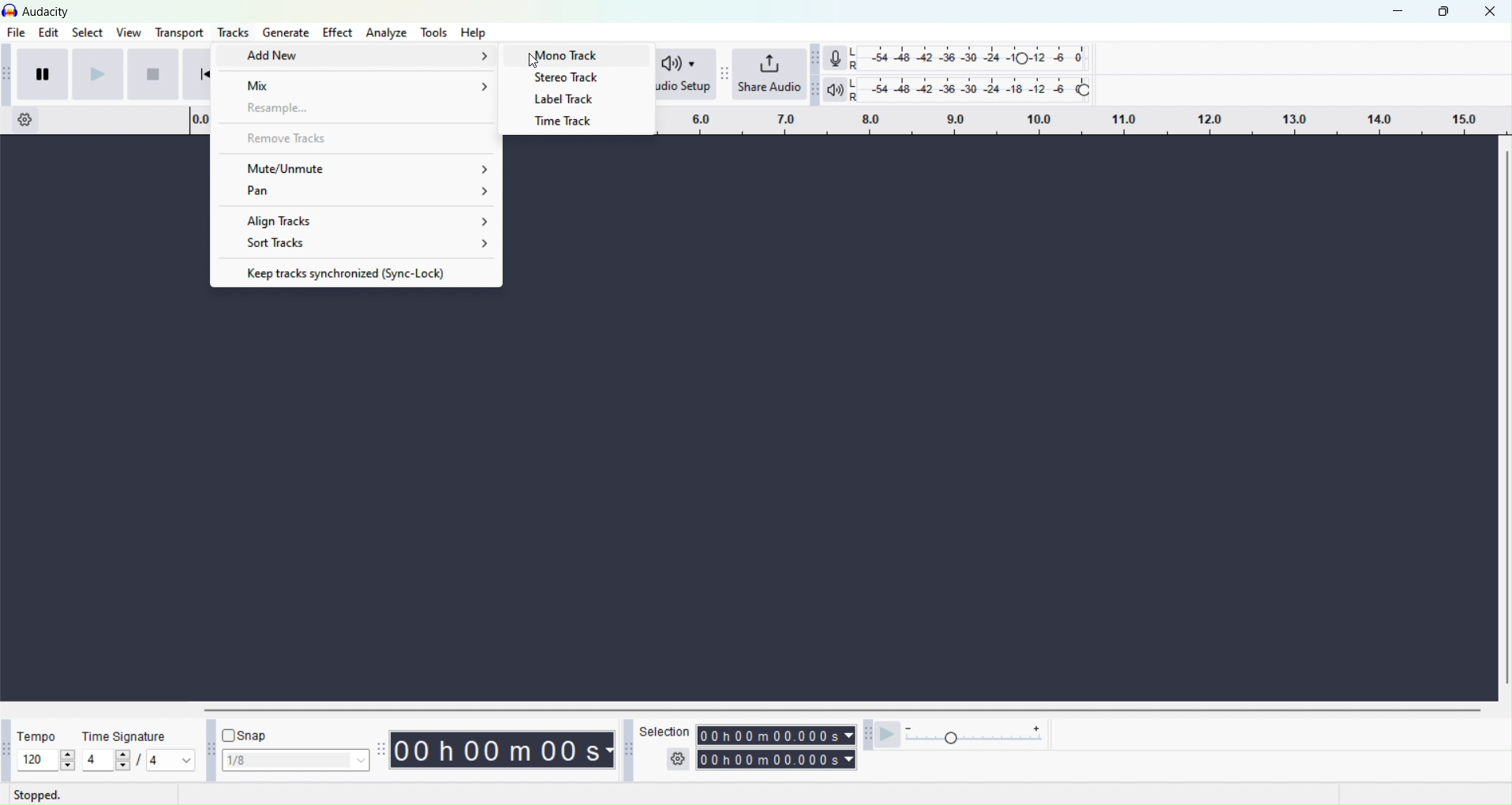 The width and height of the screenshot is (1512, 805). Describe the element at coordinates (95, 759) in the screenshot. I see `edit/current beats per measure` at that location.